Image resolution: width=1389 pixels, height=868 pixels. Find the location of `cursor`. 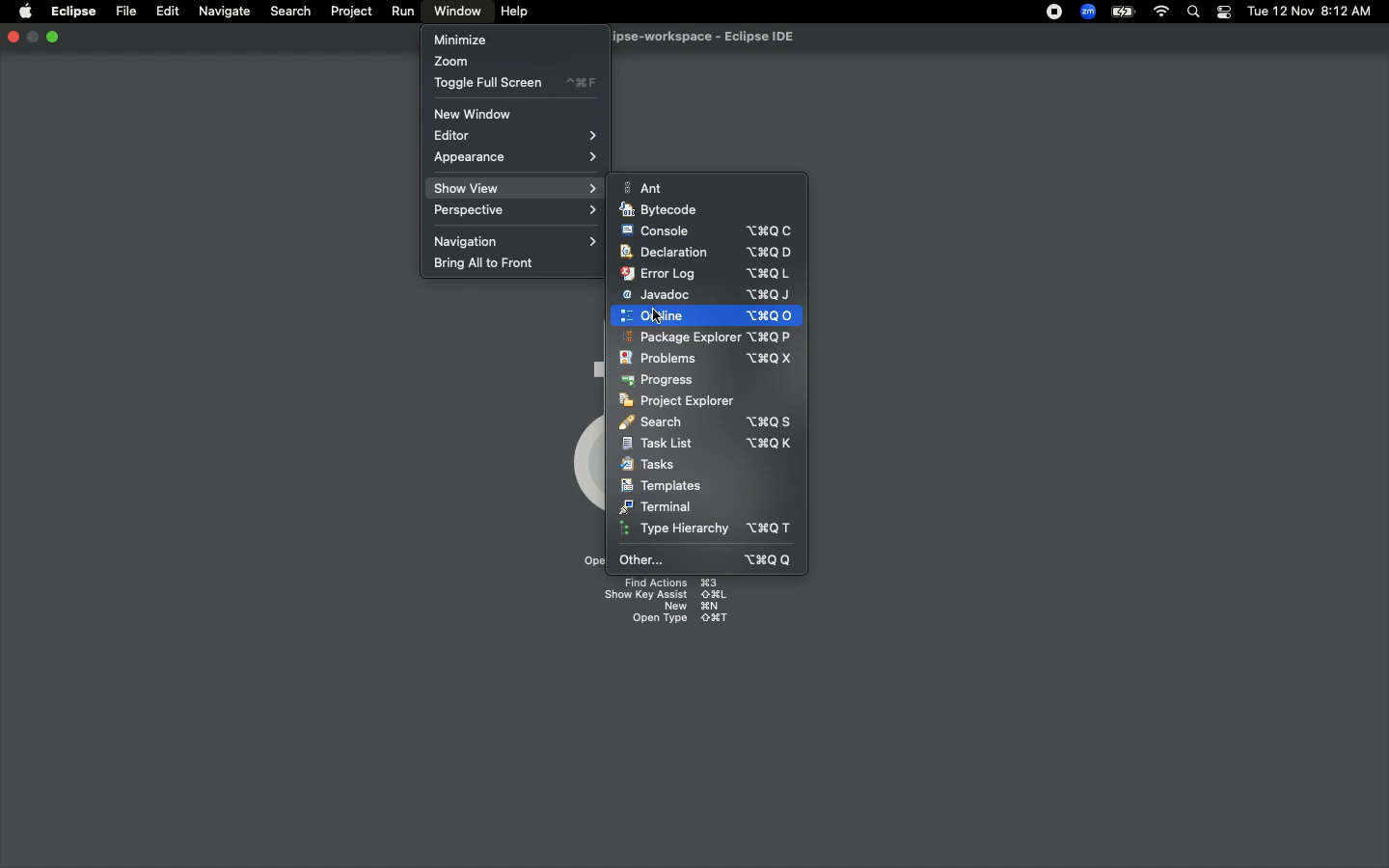

cursor is located at coordinates (655, 315).